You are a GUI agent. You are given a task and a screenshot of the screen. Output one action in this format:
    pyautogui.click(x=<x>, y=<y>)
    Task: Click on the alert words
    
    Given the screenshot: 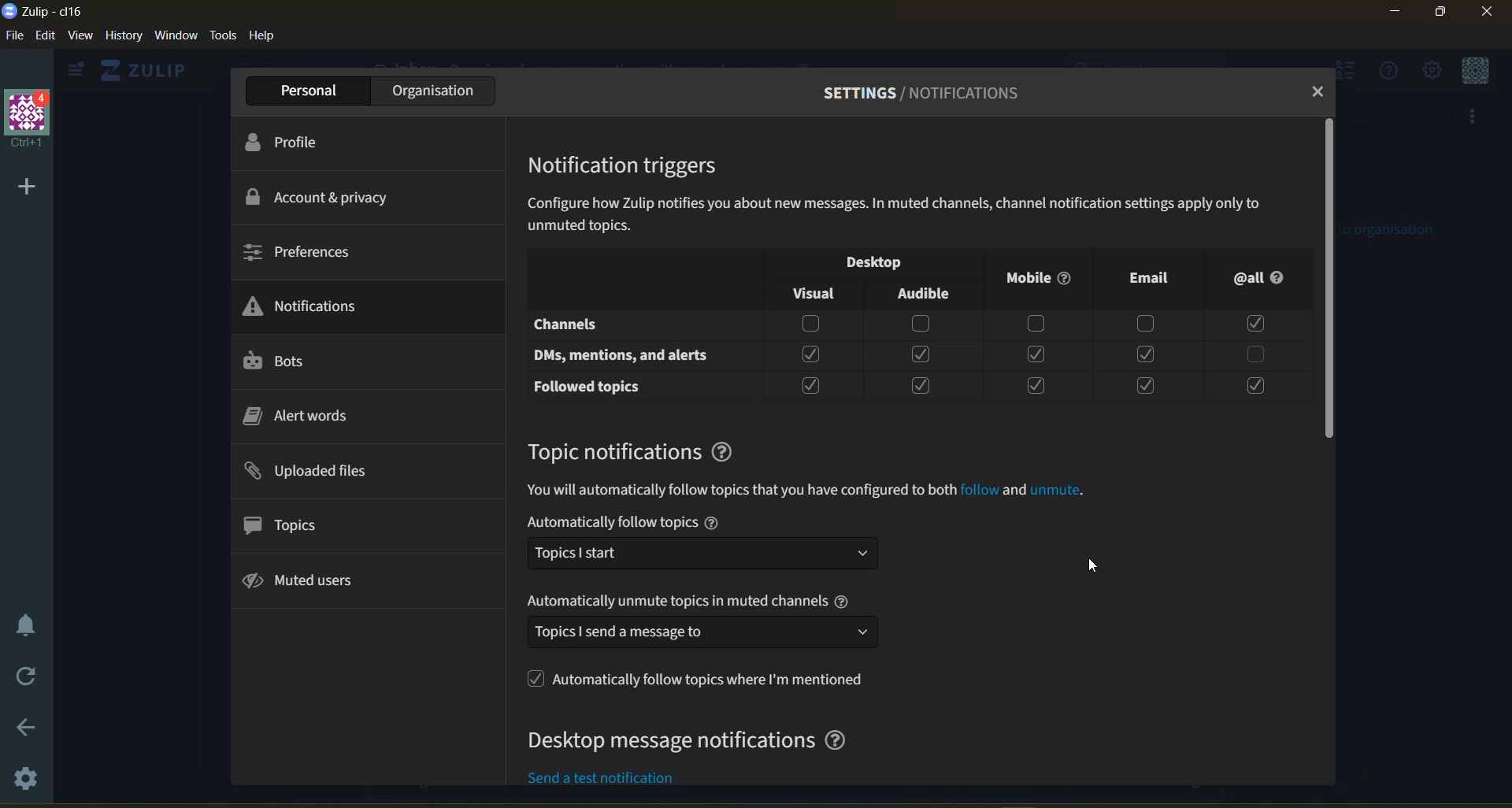 What is the action you would take?
    pyautogui.click(x=307, y=414)
    